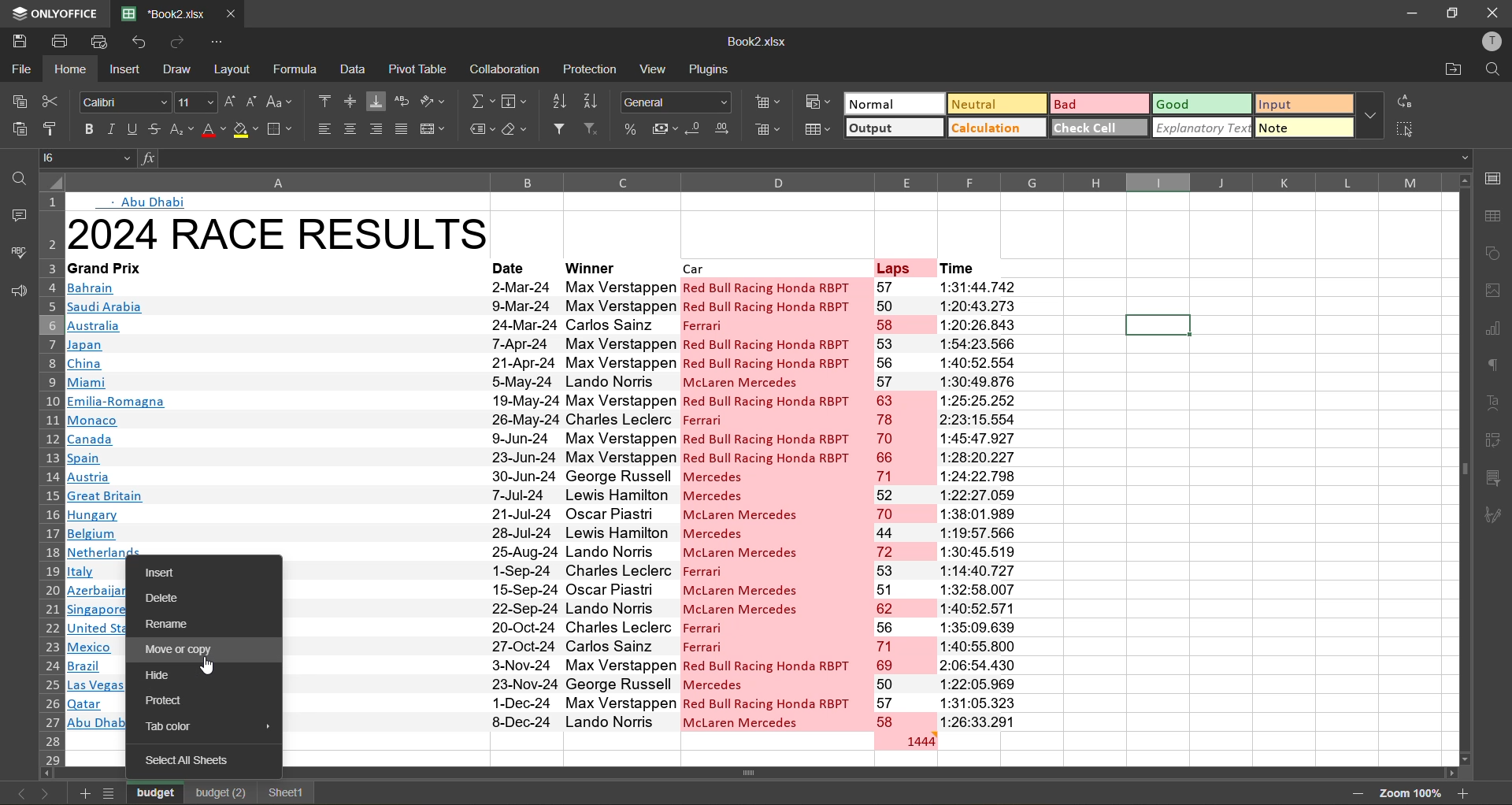 Image resolution: width=1512 pixels, height=805 pixels. Describe the element at coordinates (1303, 126) in the screenshot. I see `note` at that location.